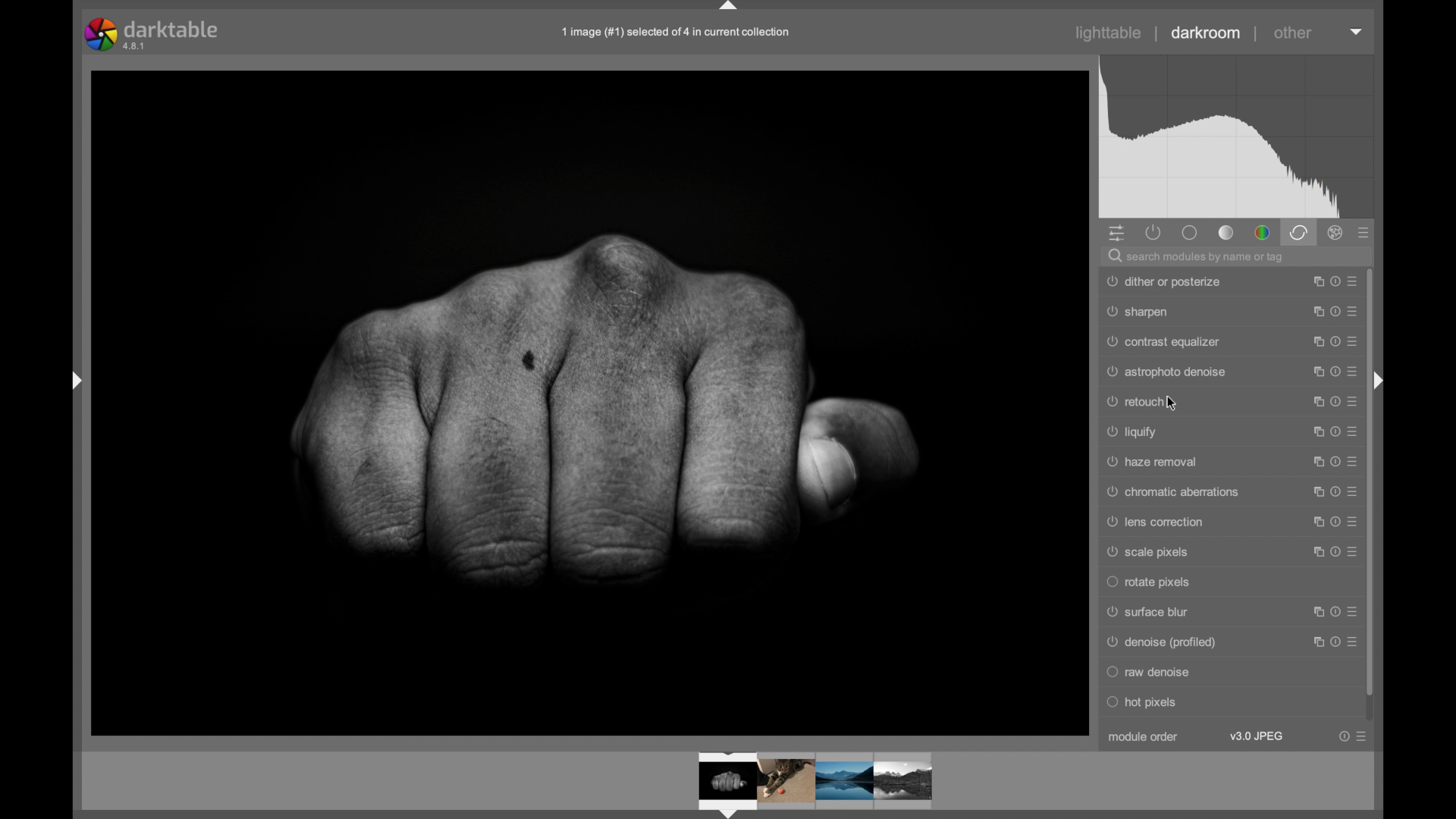 This screenshot has width=1456, height=819. What do you see at coordinates (1310, 341) in the screenshot?
I see `maximize` at bounding box center [1310, 341].